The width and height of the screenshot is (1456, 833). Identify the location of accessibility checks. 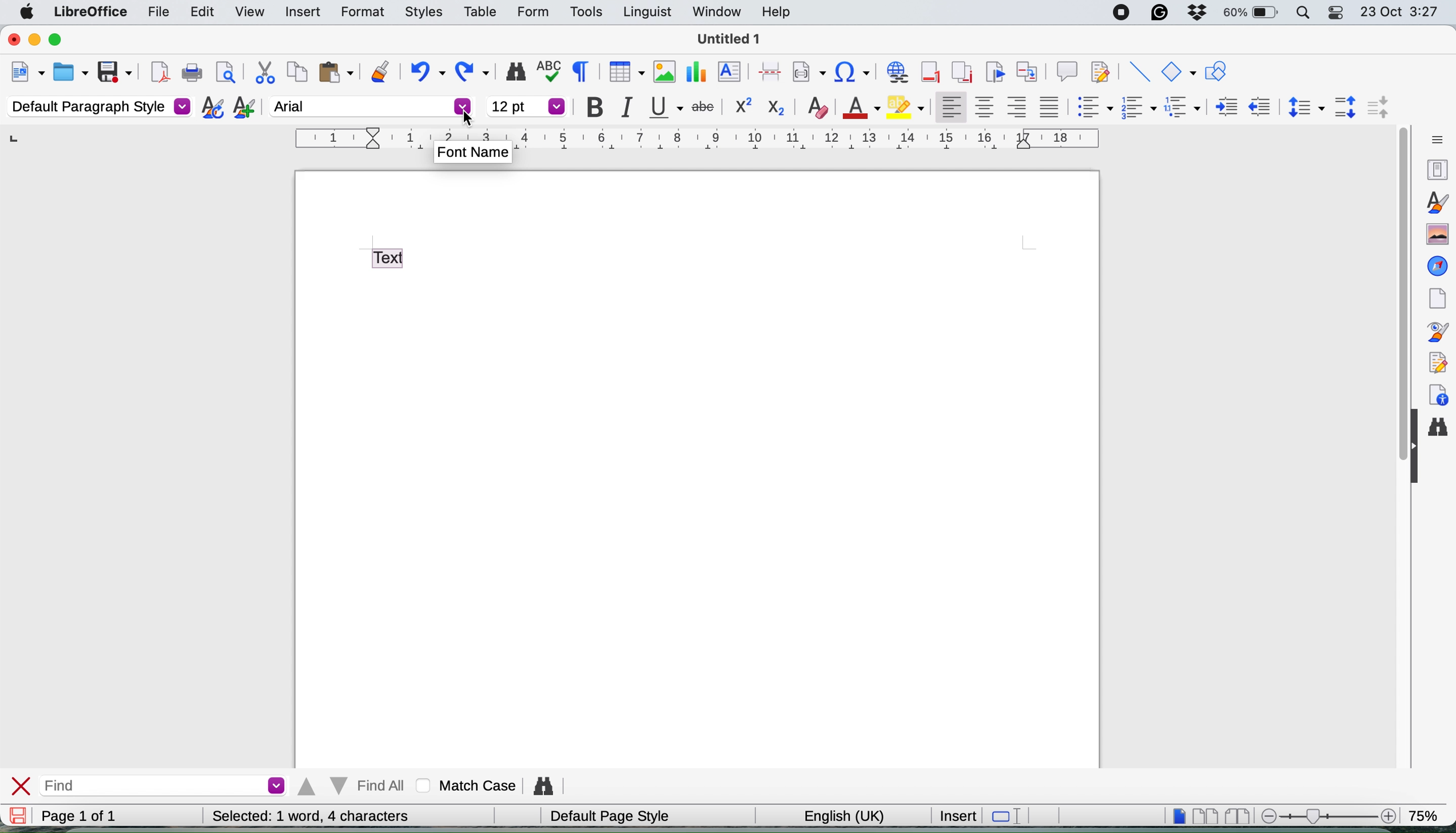
(1439, 392).